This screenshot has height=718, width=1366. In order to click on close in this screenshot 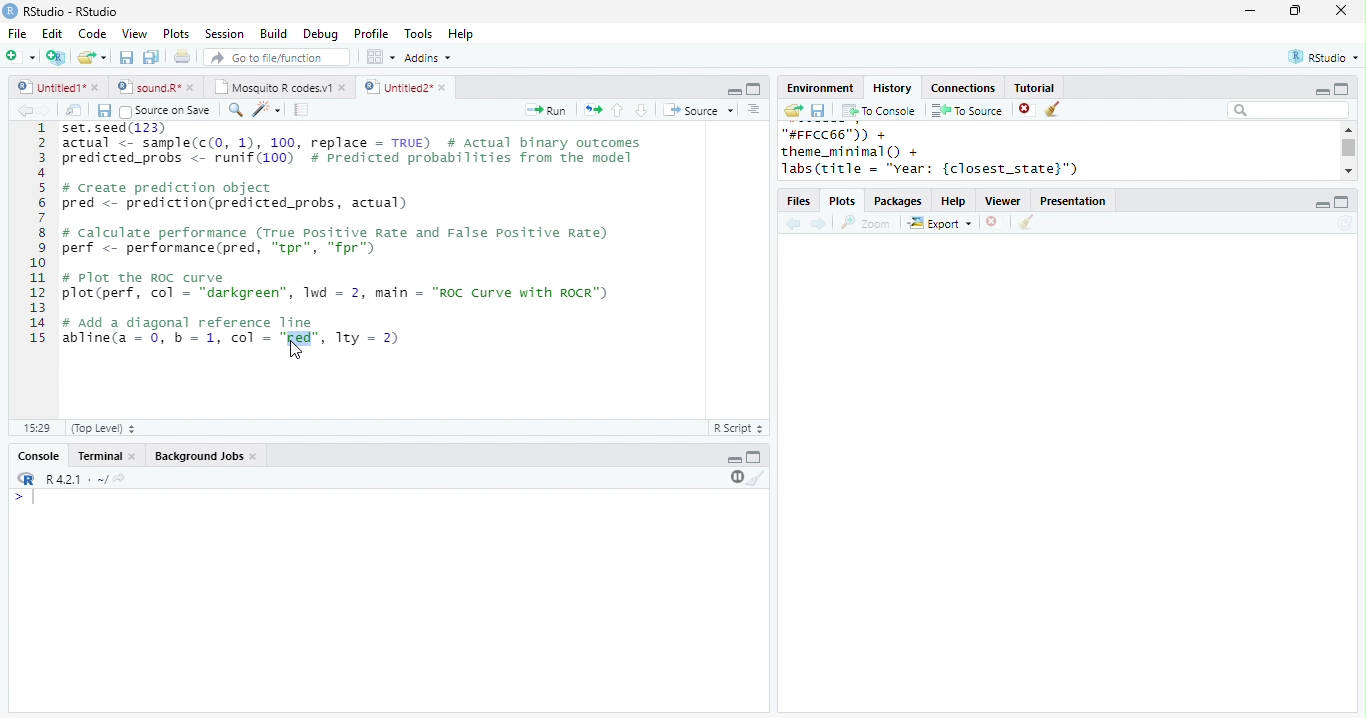, I will do `click(344, 87)`.